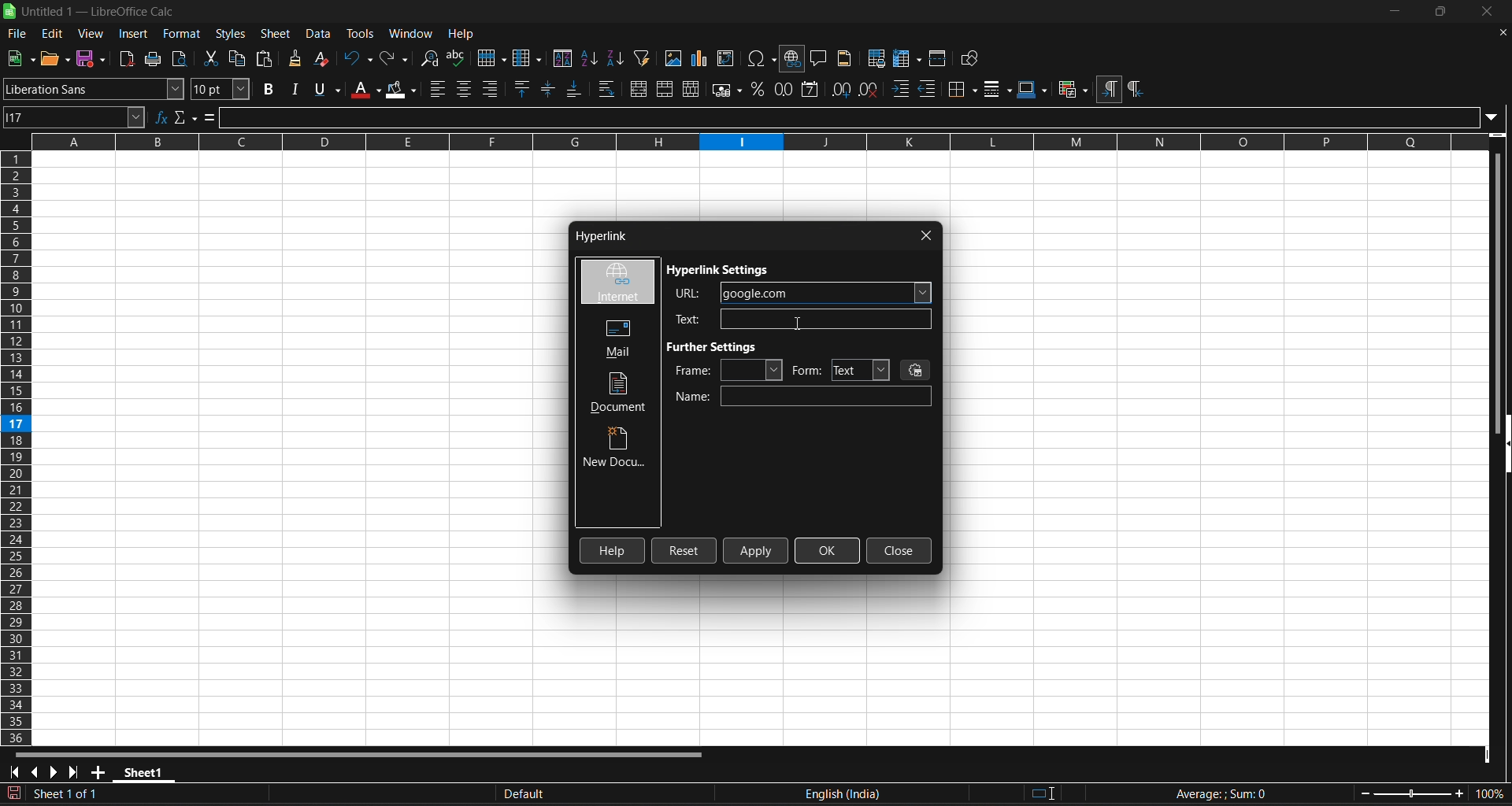  Describe the element at coordinates (783, 90) in the screenshot. I see `format as number` at that location.